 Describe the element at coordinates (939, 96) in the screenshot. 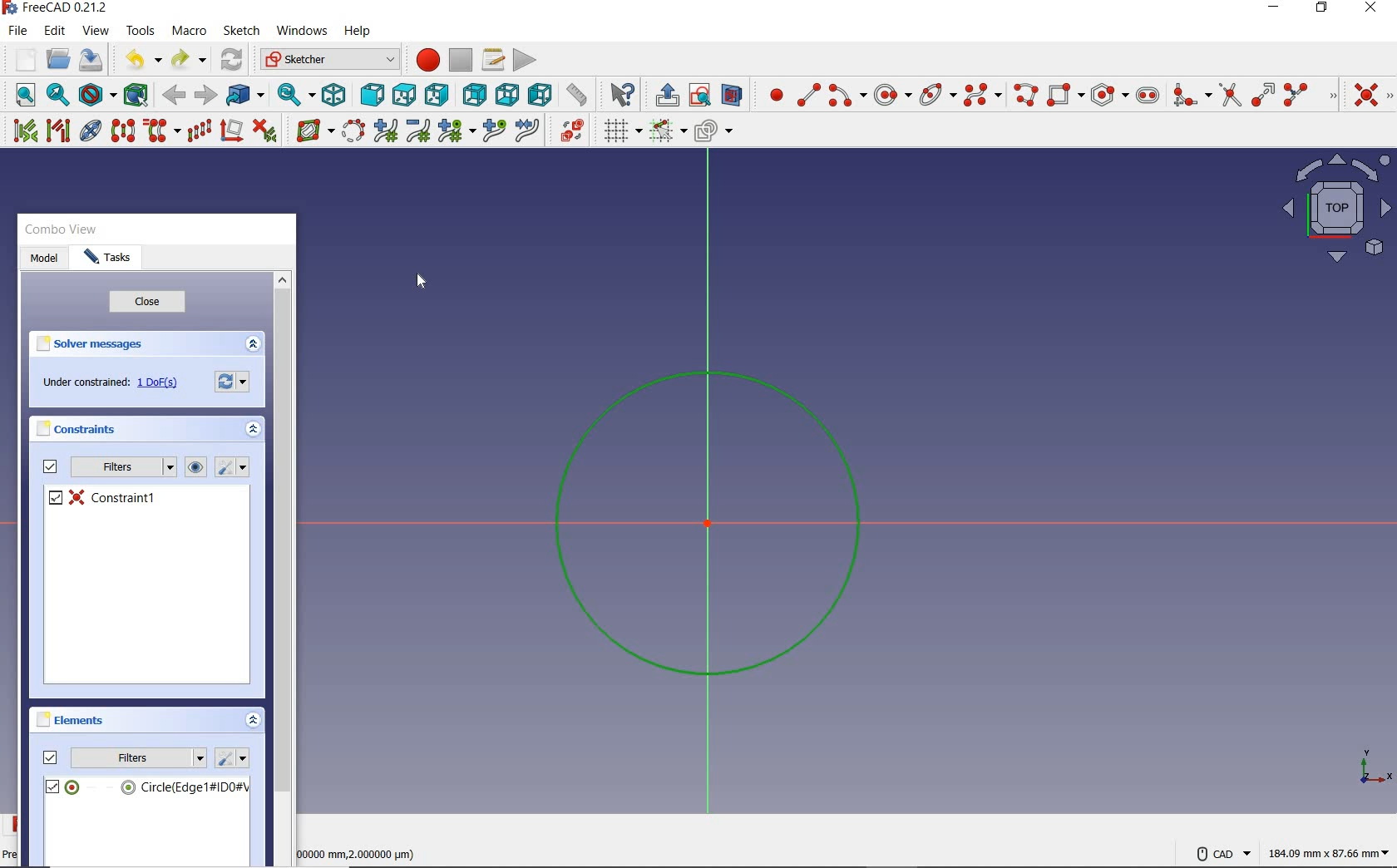

I see `create conic` at that location.